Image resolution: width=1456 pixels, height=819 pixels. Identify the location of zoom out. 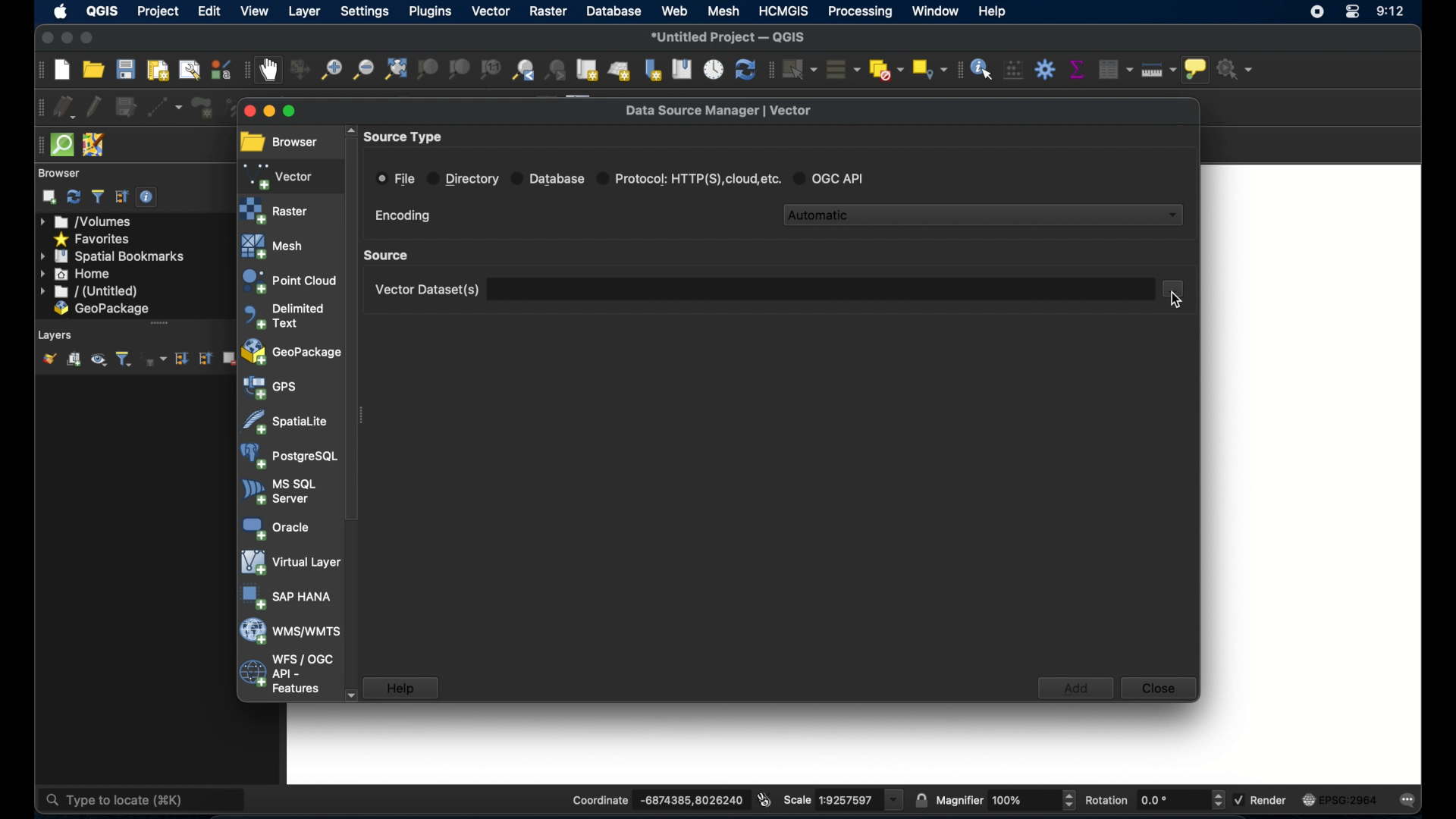
(362, 72).